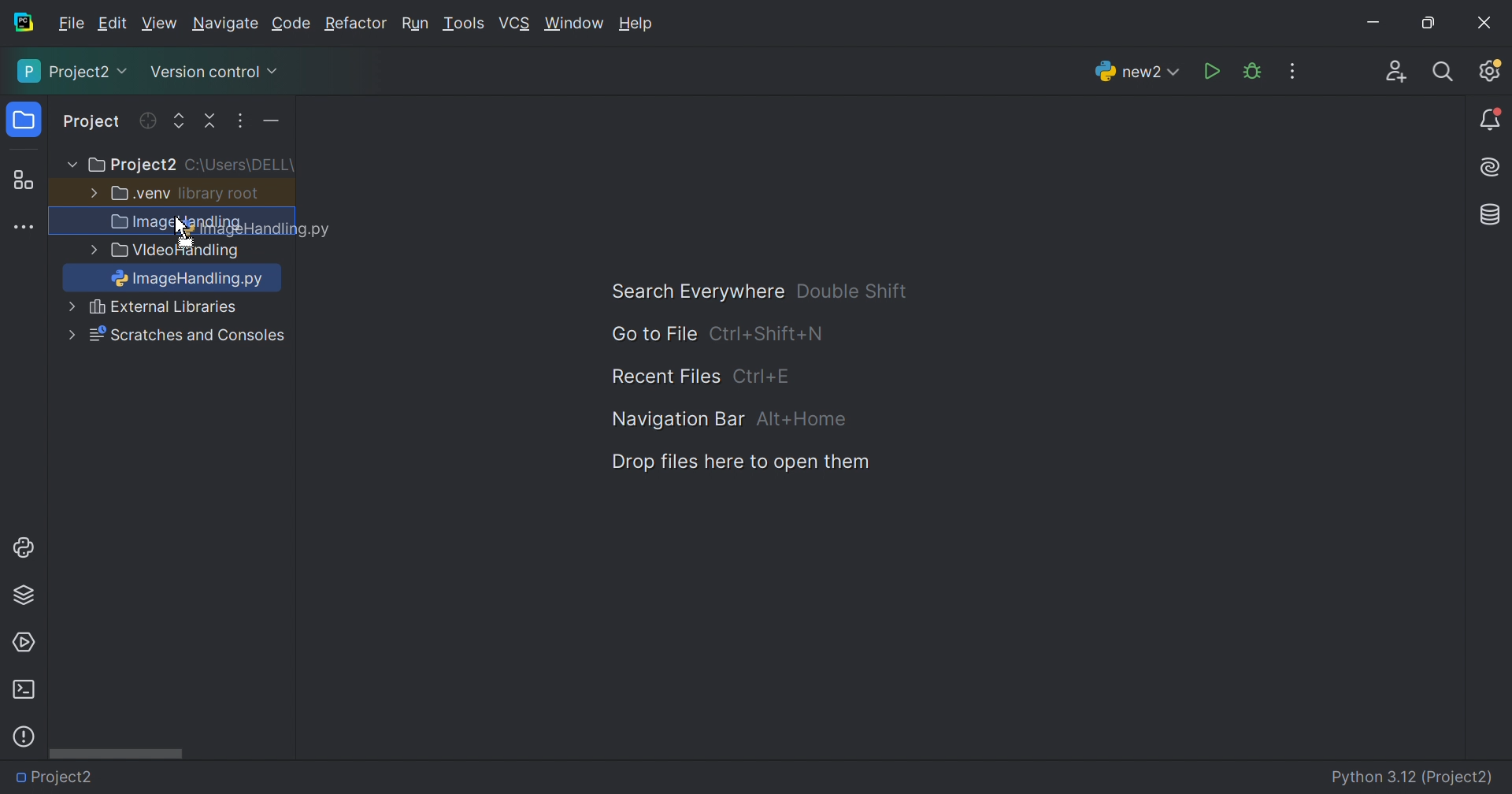  I want to click on Code, so click(294, 24).